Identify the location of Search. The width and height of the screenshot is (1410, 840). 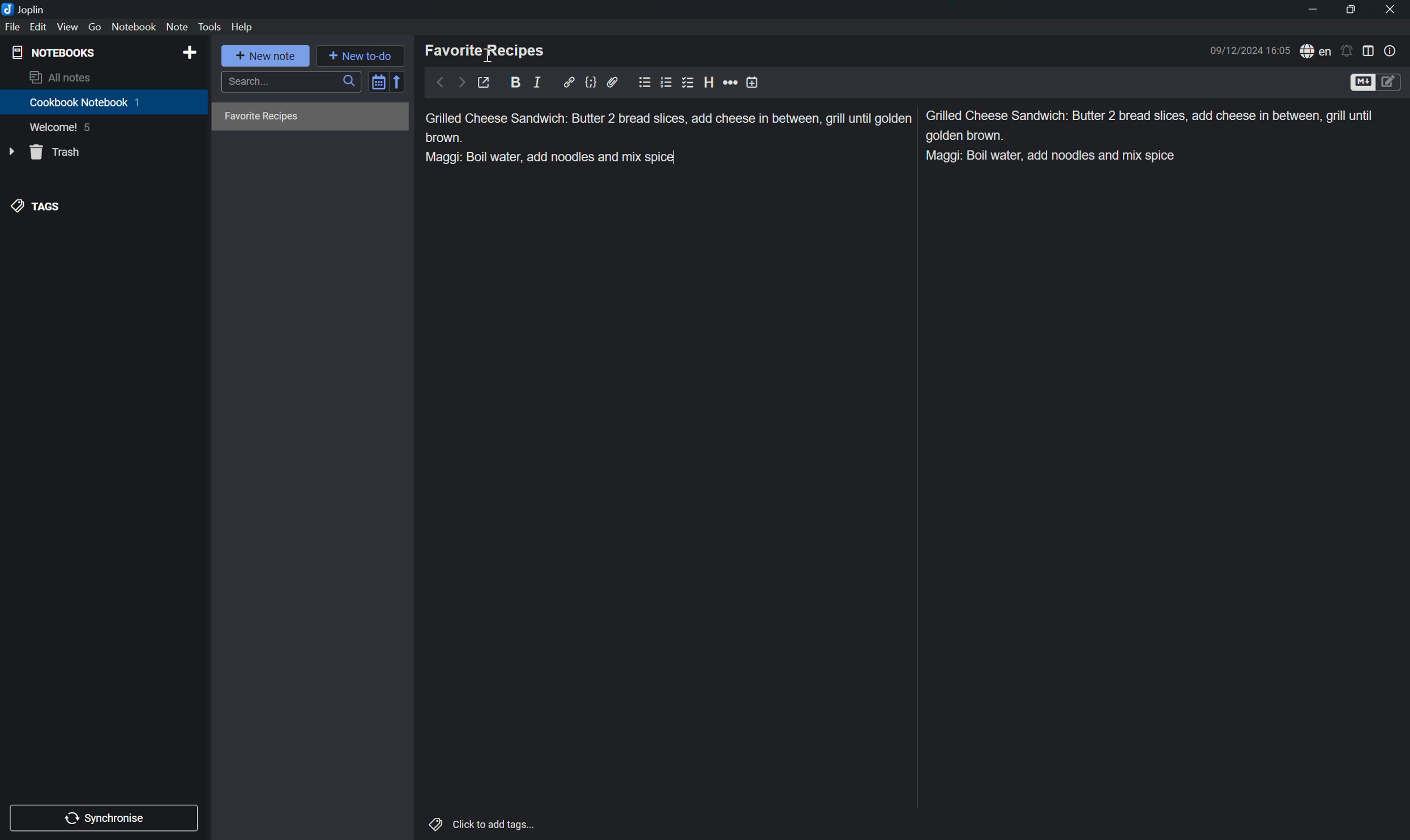
(290, 82).